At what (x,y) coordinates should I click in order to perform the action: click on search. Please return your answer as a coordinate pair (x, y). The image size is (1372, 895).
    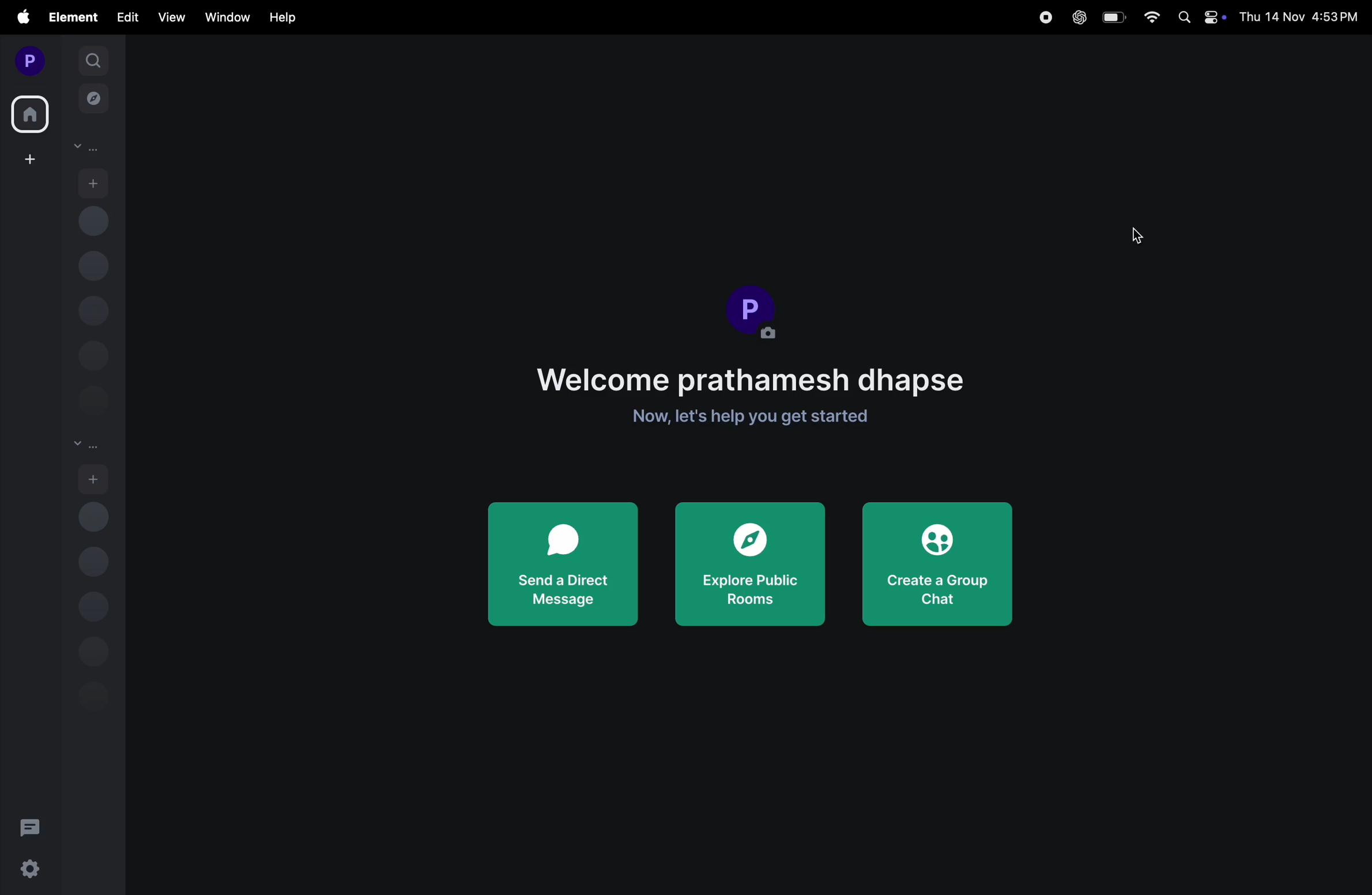
    Looking at the image, I should click on (93, 59).